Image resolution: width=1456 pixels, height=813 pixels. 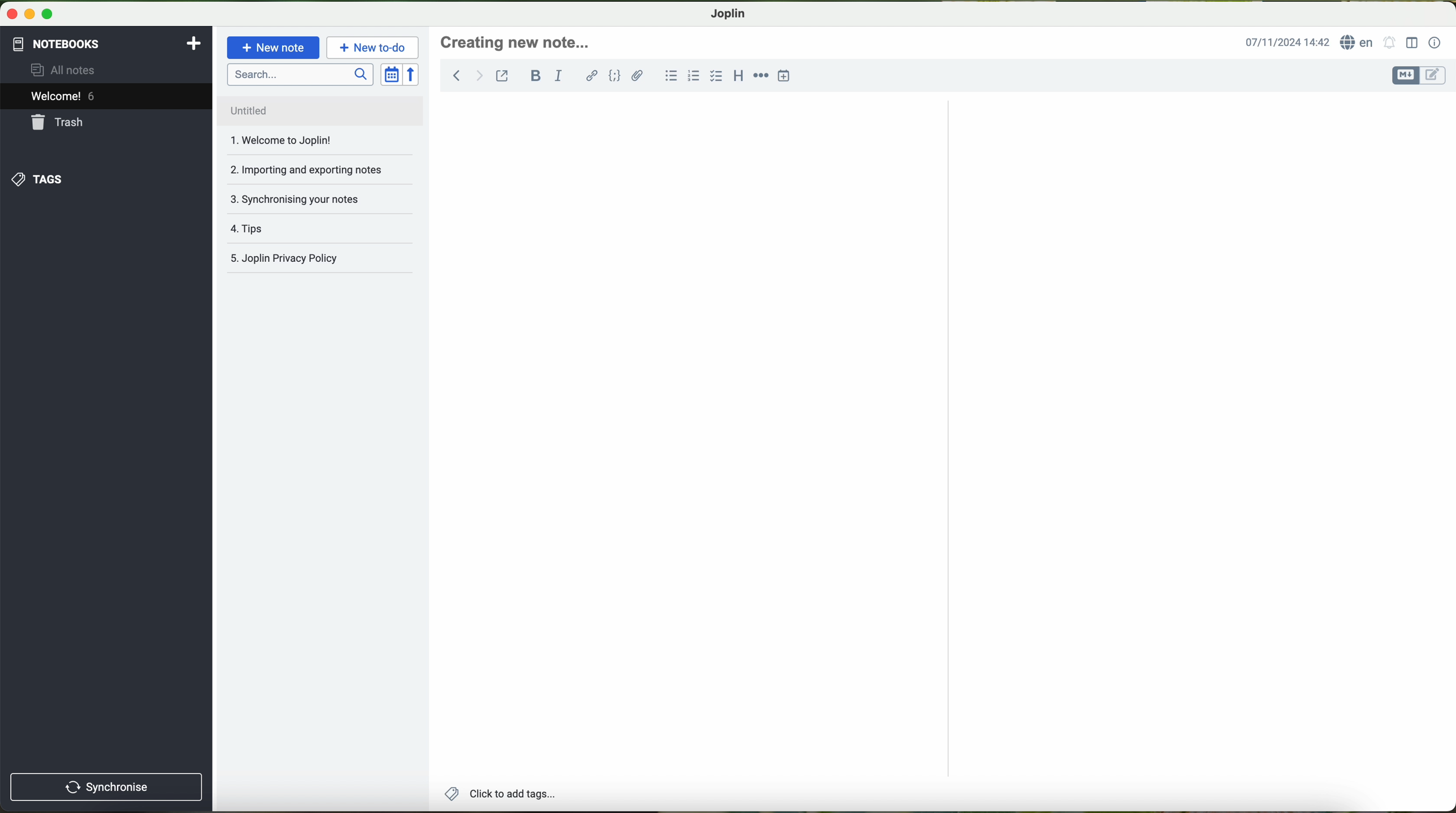 I want to click on maximize, so click(x=47, y=18).